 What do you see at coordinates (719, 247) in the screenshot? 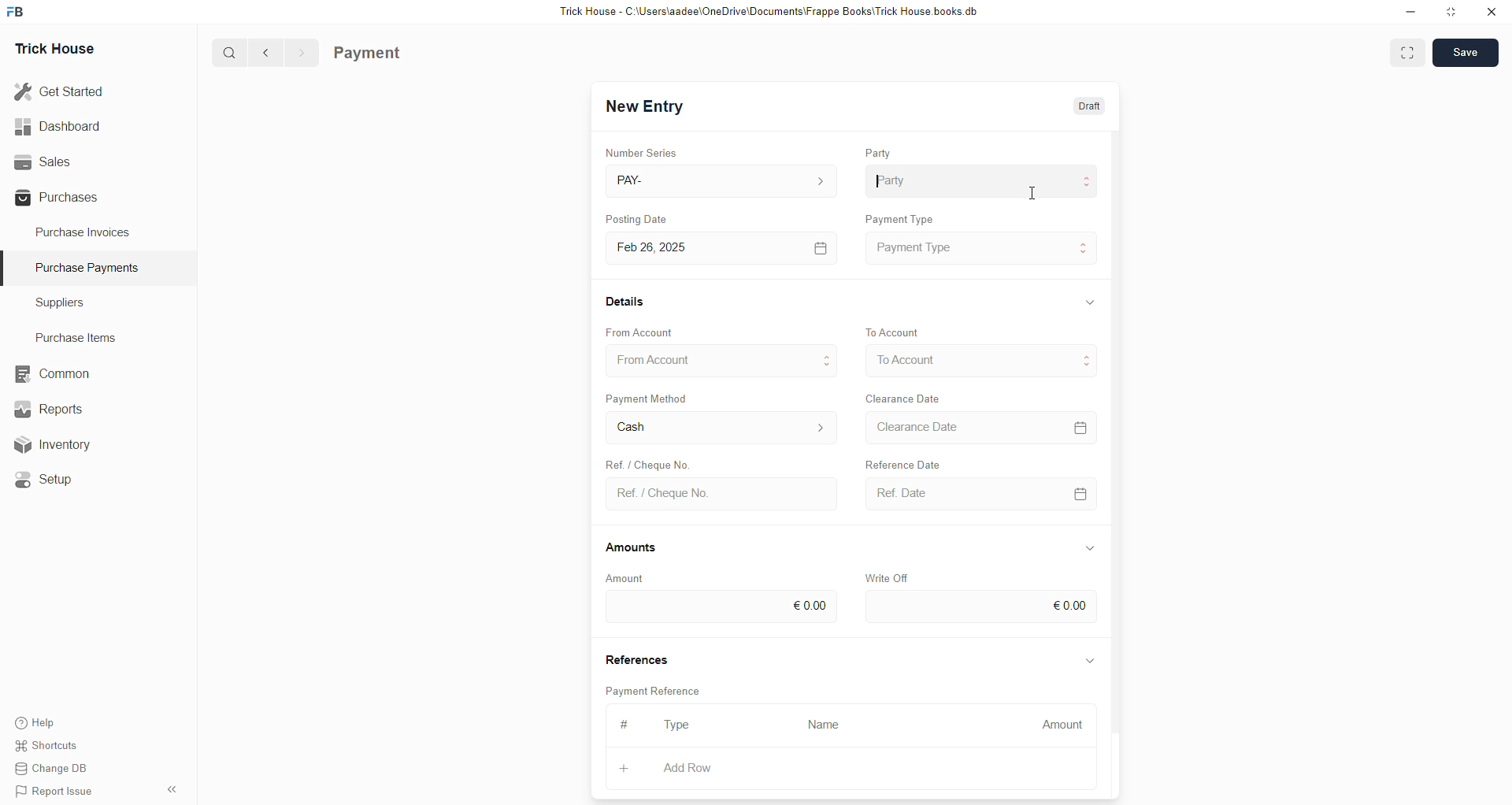
I see `Feb 26, 2025 ` at bounding box center [719, 247].